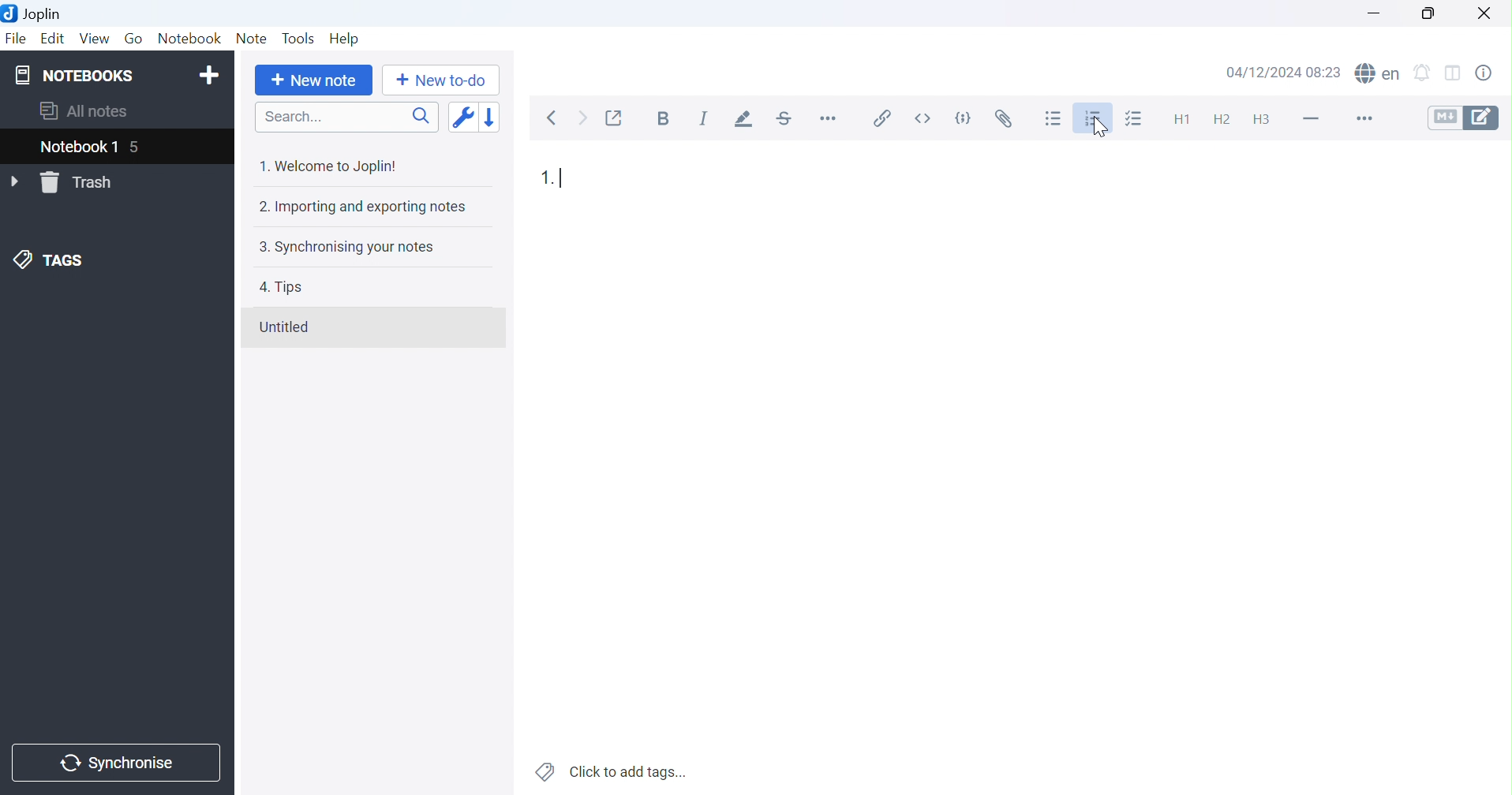 This screenshot has width=1512, height=795. I want to click on Toggle external editing, so click(616, 117).